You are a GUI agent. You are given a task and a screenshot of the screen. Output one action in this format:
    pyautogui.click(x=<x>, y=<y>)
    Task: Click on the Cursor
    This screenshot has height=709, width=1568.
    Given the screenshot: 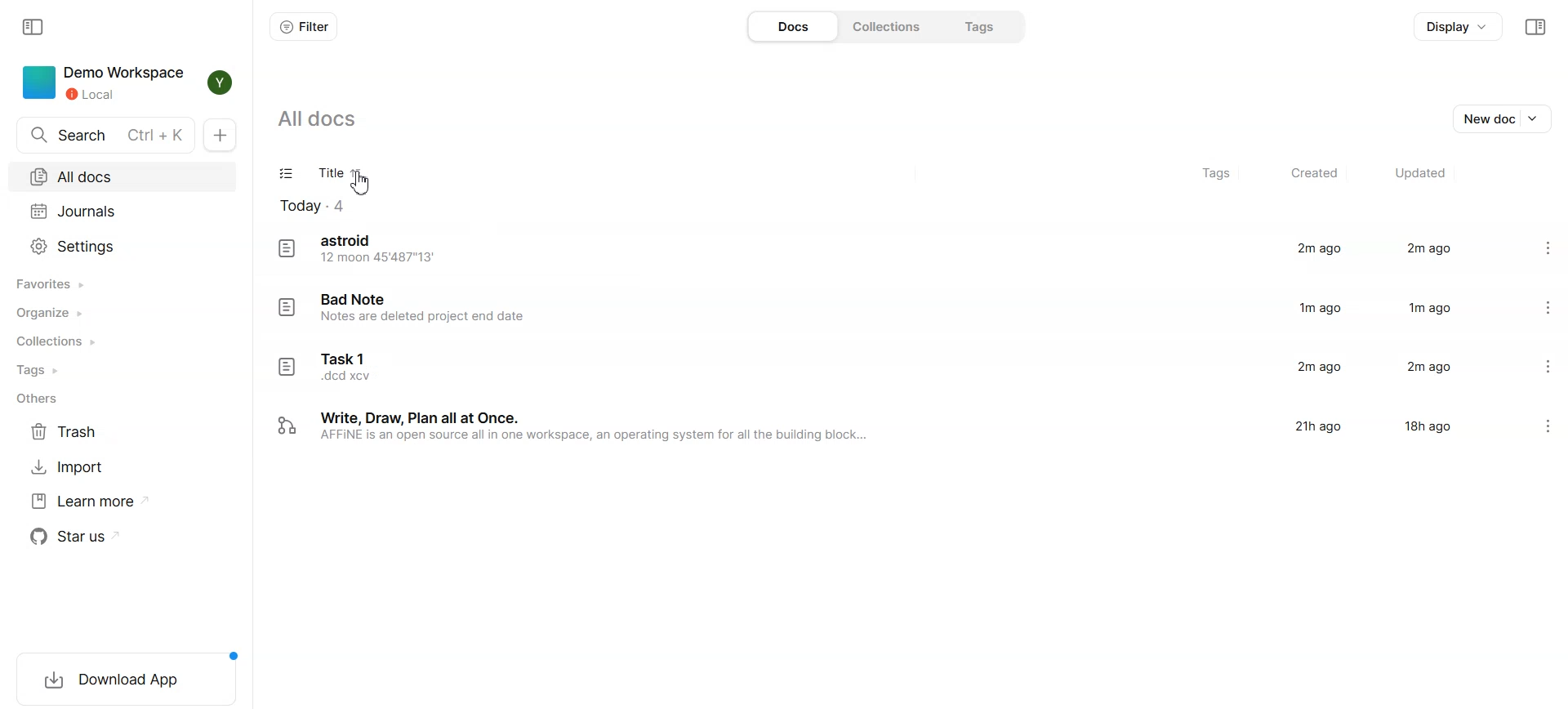 What is the action you would take?
    pyautogui.click(x=362, y=184)
    